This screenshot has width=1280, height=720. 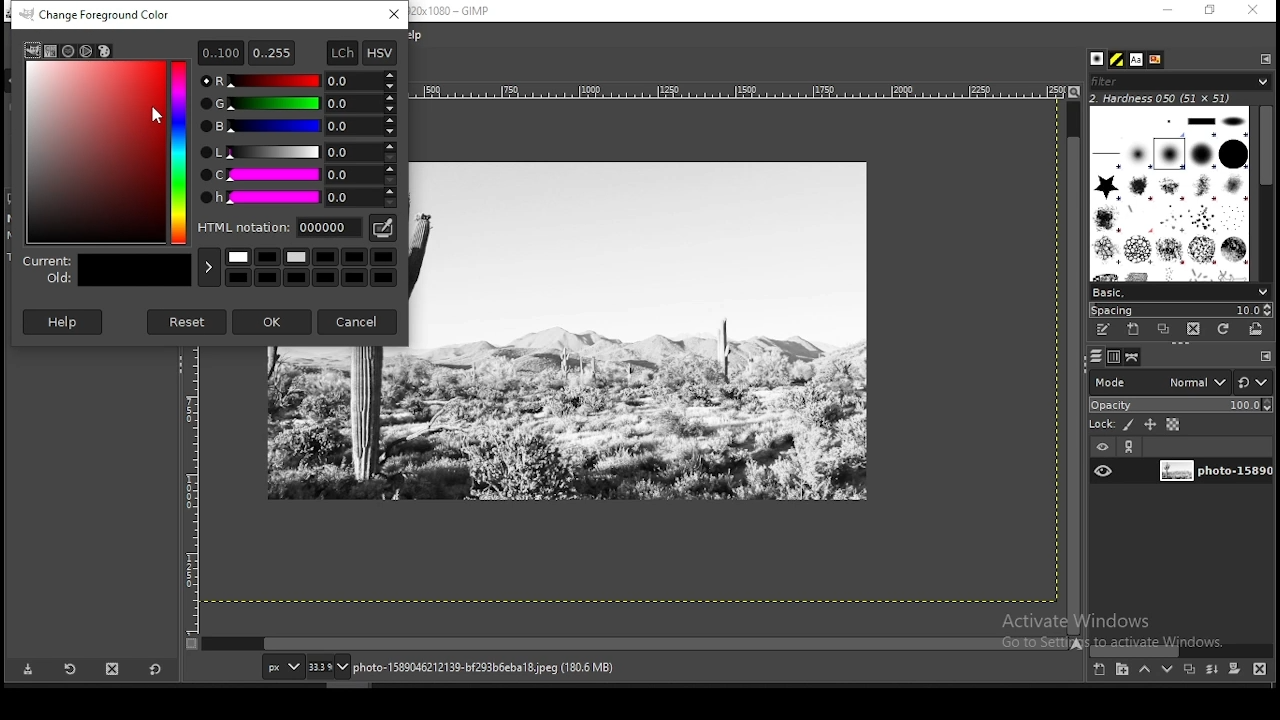 I want to click on ok, so click(x=271, y=322).